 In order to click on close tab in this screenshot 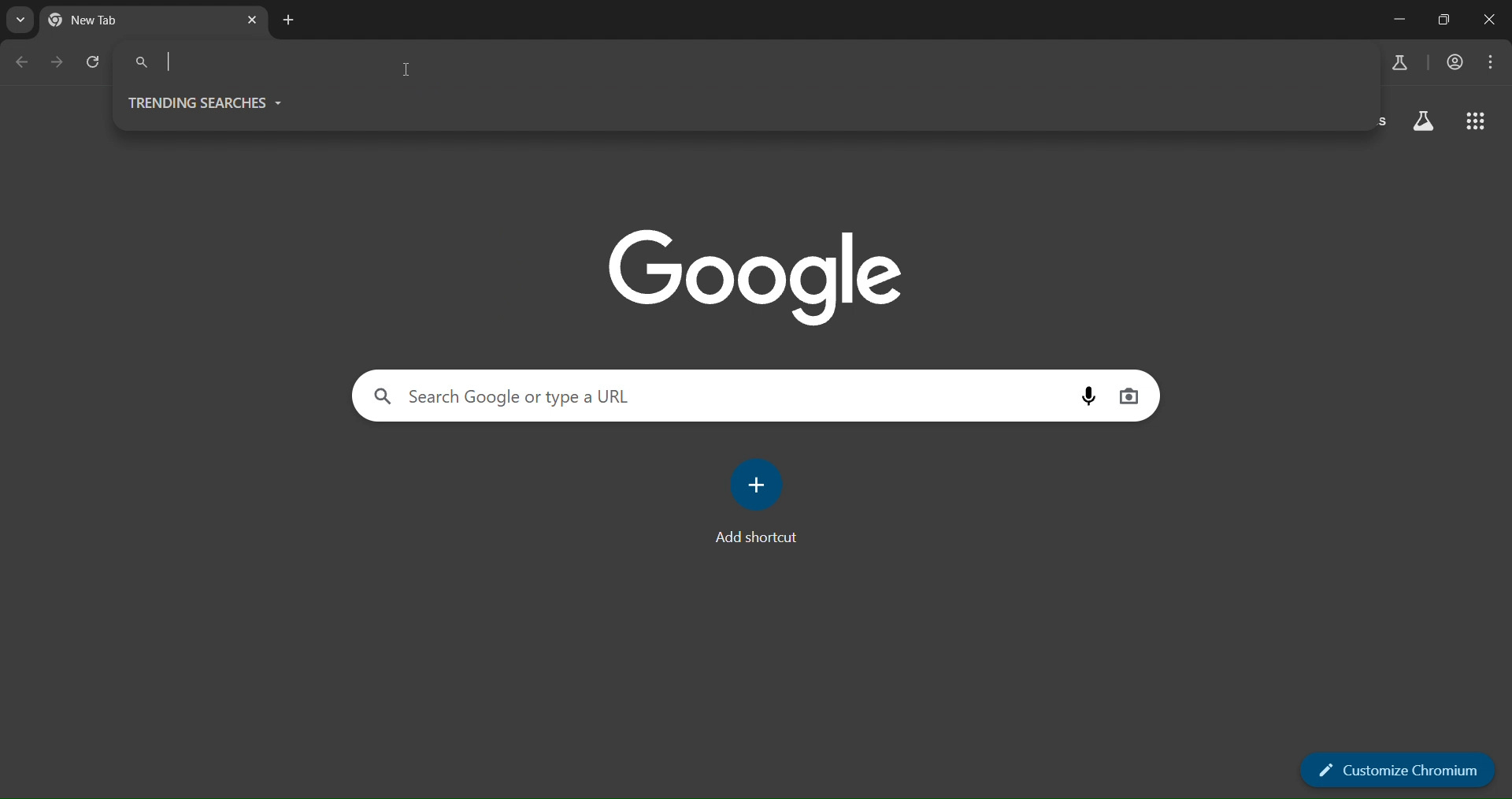, I will do `click(254, 20)`.